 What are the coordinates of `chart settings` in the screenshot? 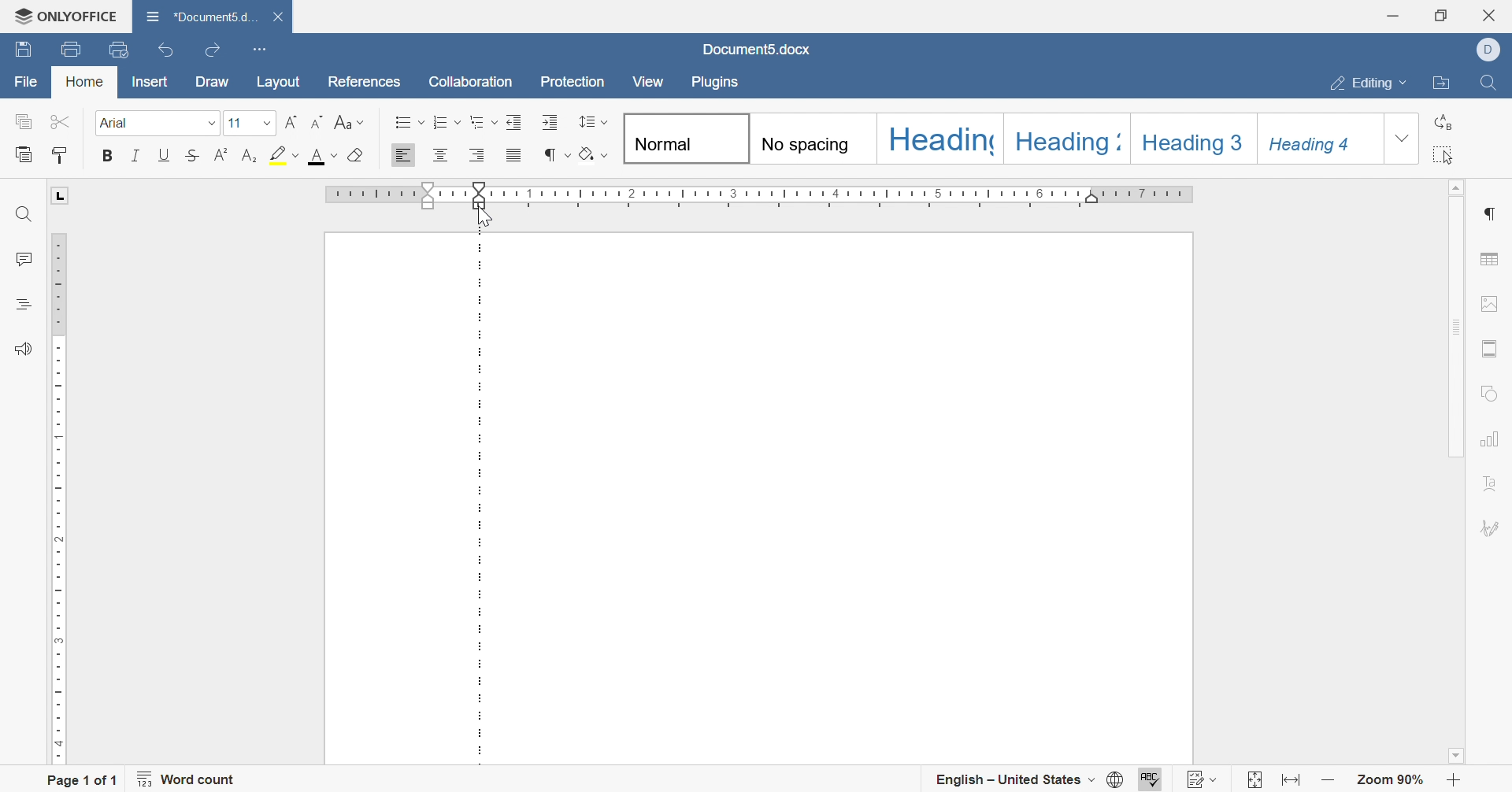 It's located at (1494, 440).